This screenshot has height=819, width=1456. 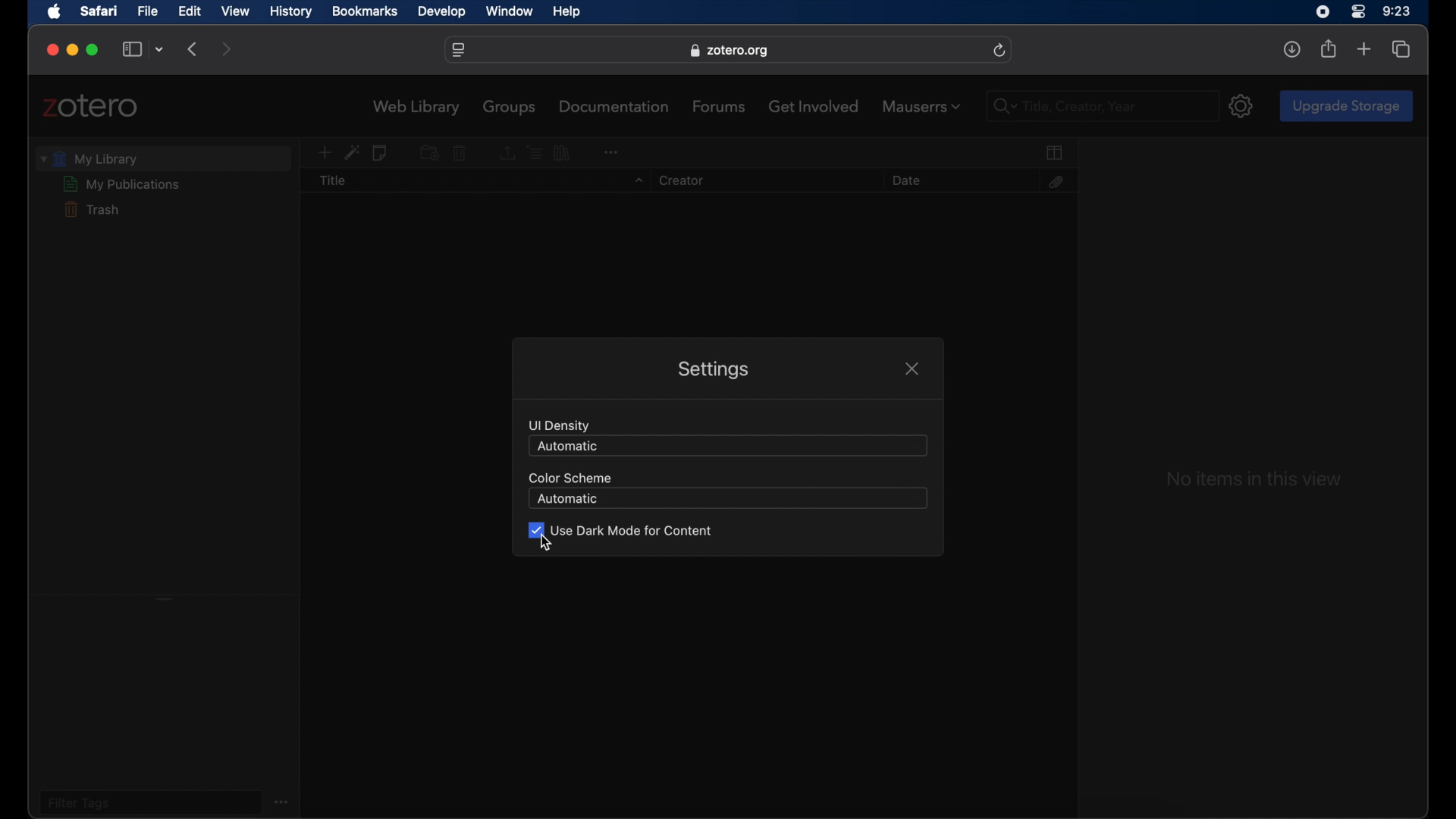 What do you see at coordinates (55, 12) in the screenshot?
I see `apple icon` at bounding box center [55, 12].